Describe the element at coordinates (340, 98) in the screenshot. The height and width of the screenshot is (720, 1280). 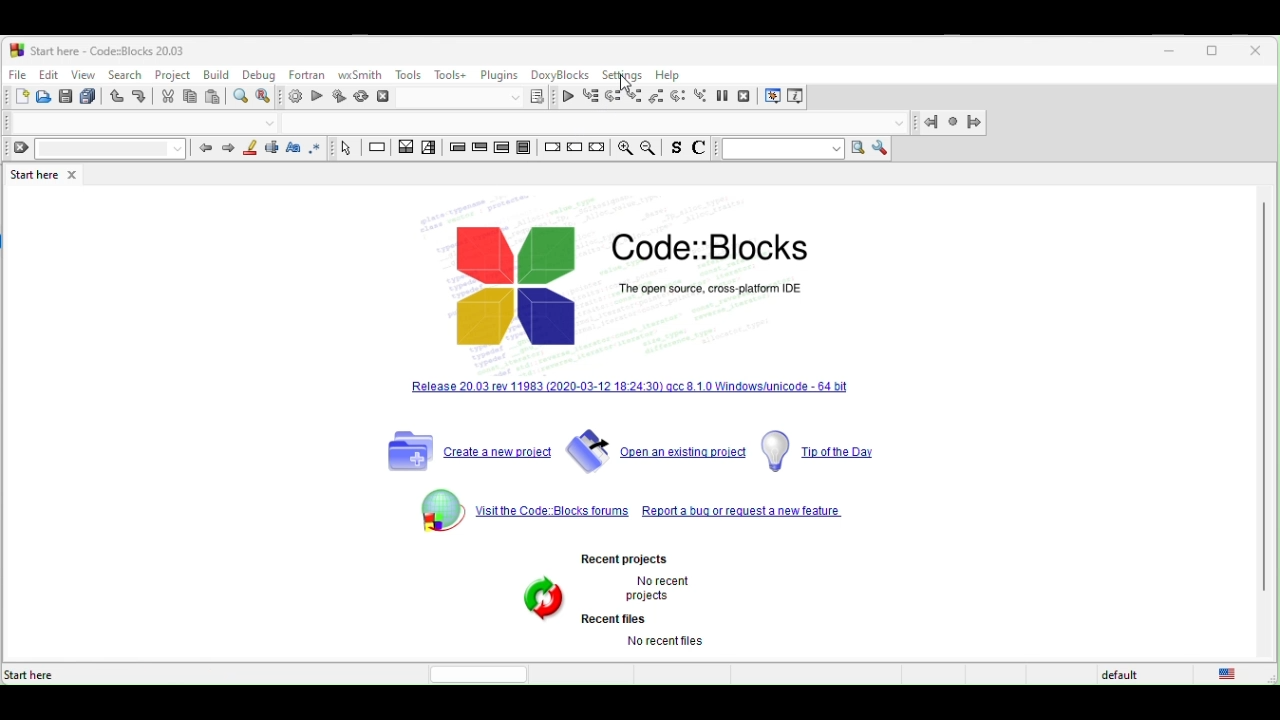
I see `build and run` at that location.